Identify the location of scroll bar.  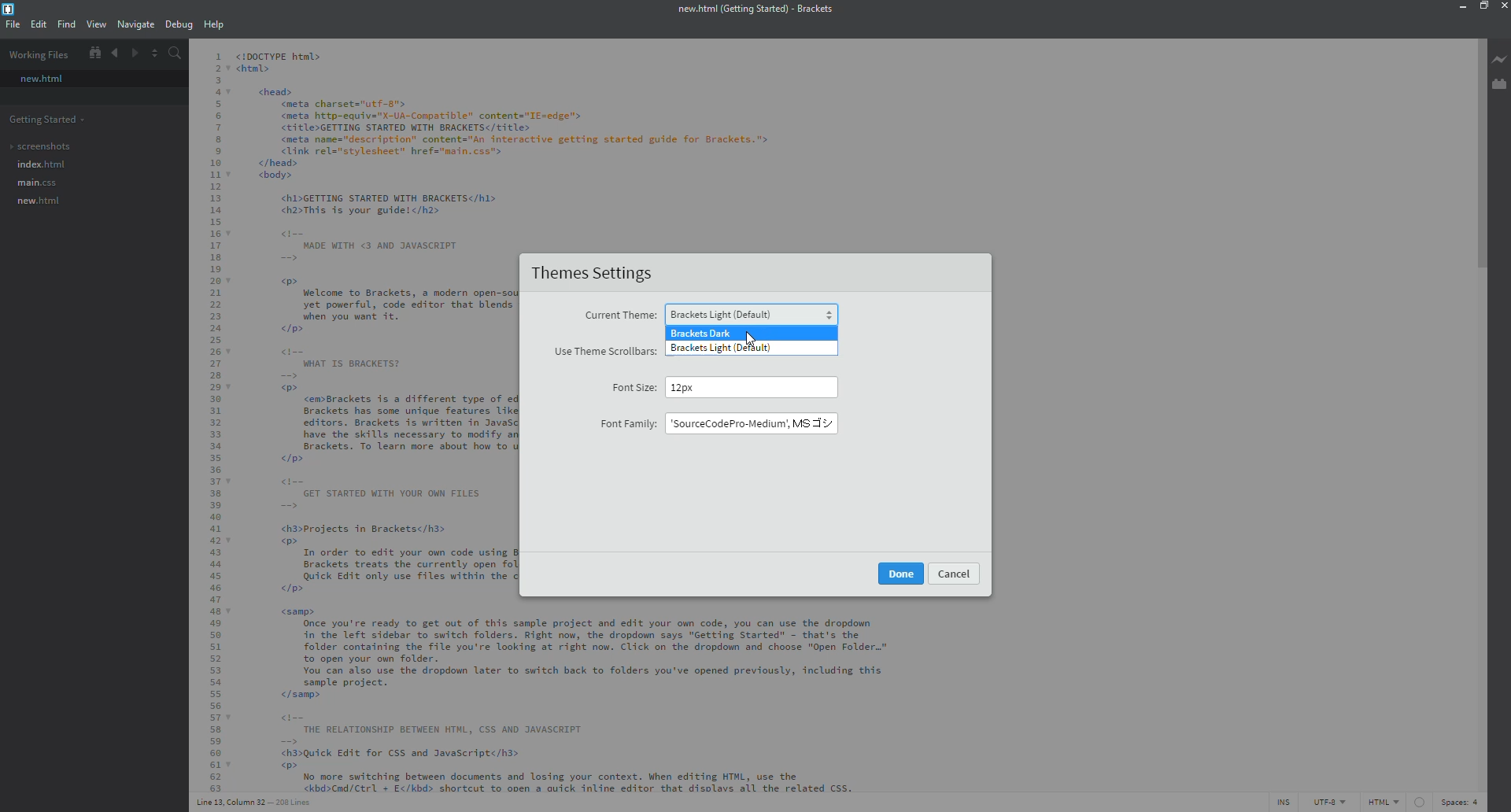
(1483, 146).